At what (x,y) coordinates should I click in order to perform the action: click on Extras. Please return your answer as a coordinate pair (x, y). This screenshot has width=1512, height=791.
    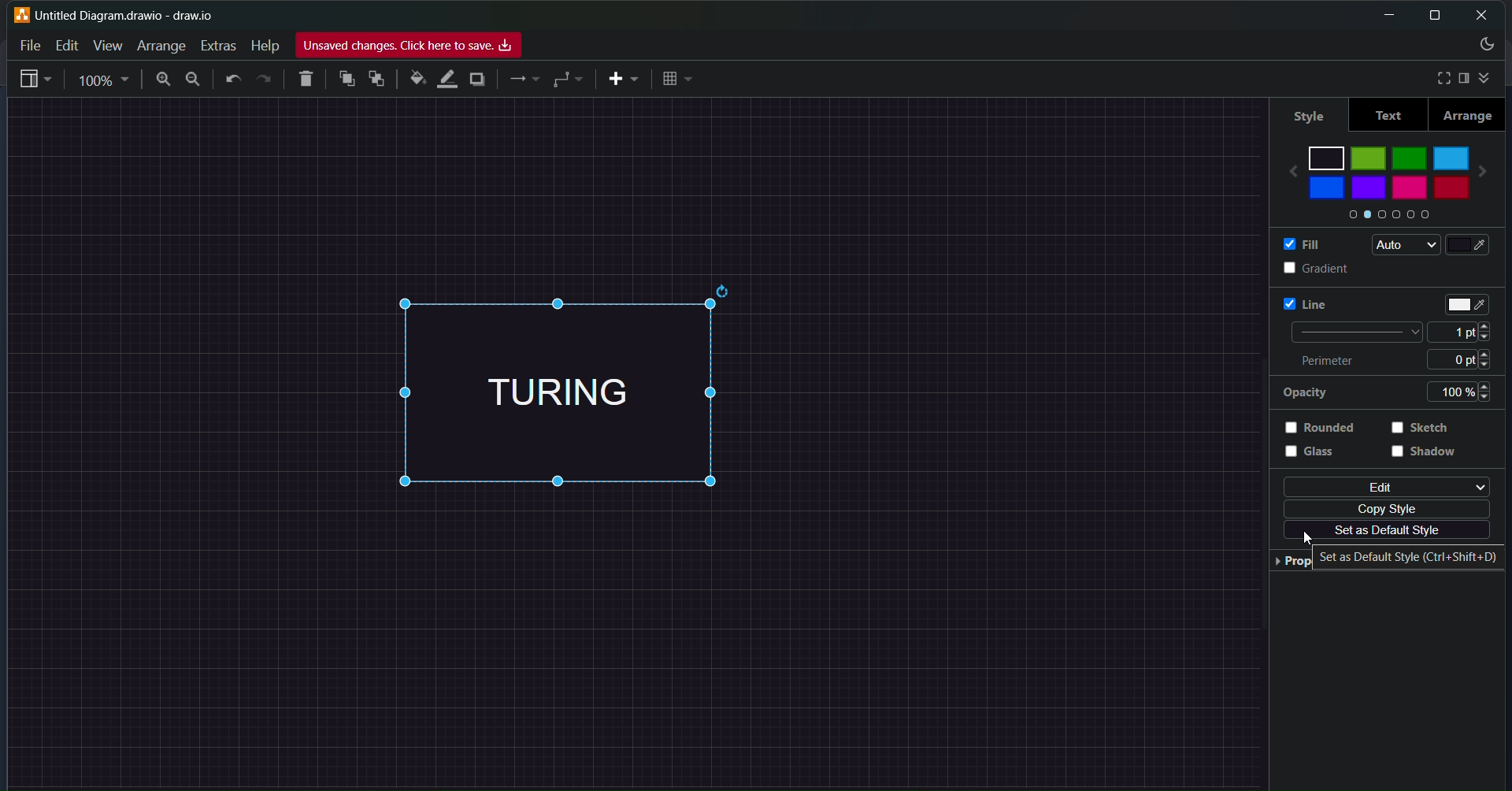
    Looking at the image, I should click on (220, 43).